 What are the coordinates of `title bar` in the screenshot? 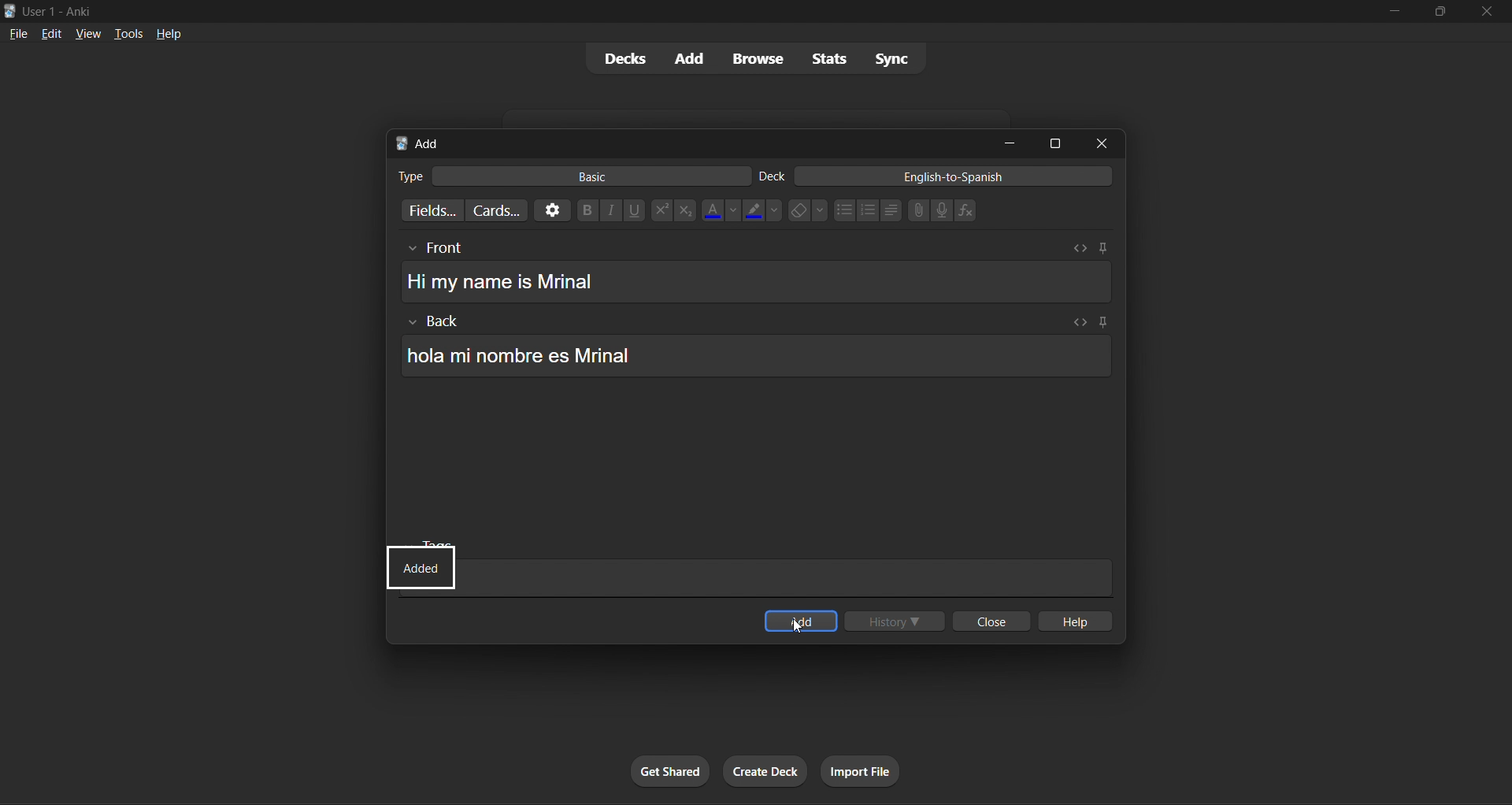 It's located at (663, 9).